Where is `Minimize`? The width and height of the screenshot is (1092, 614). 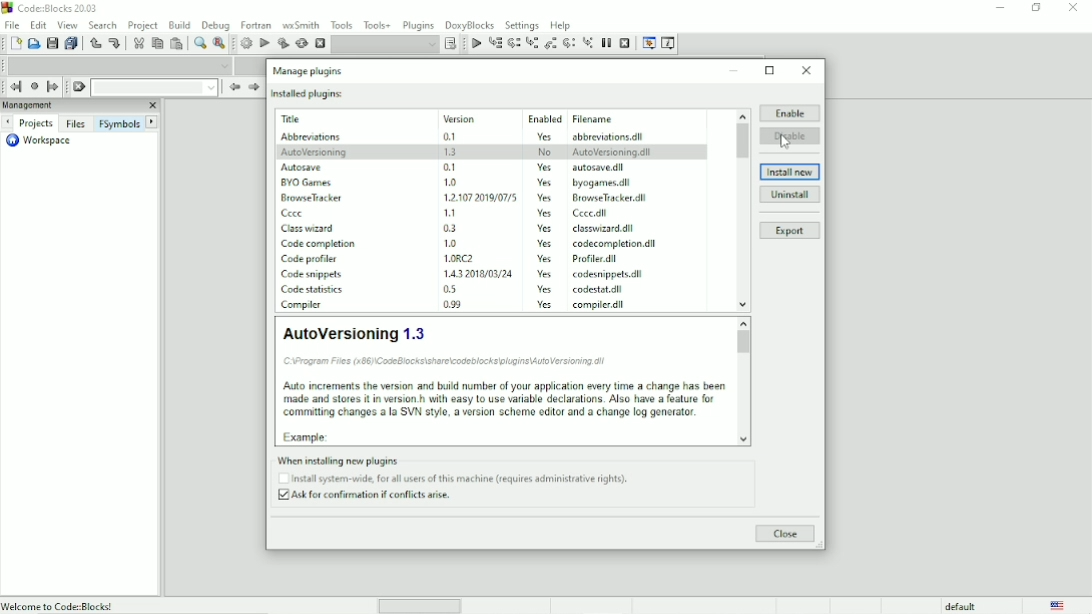 Minimize is located at coordinates (999, 8).